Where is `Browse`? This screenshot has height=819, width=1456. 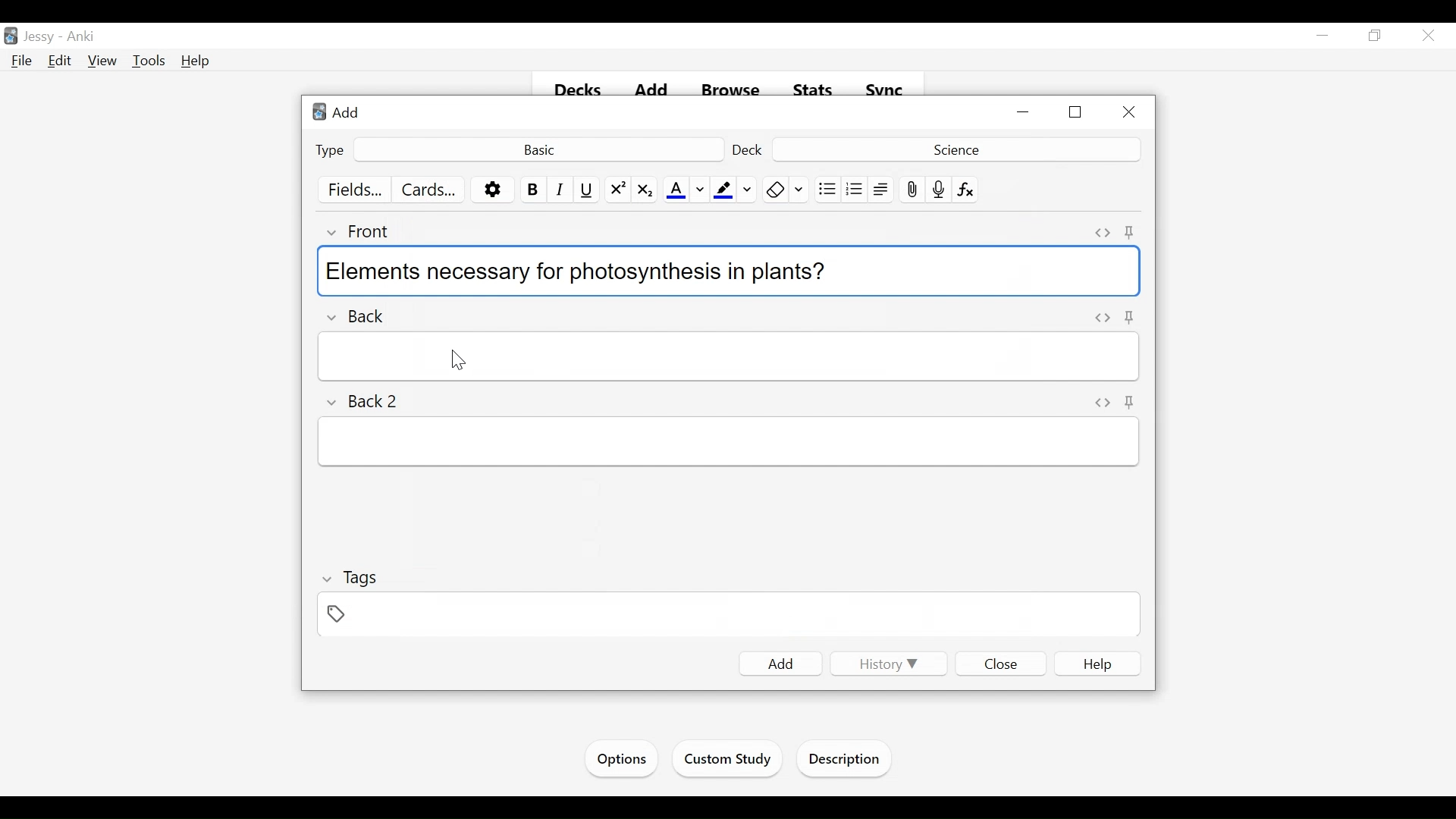
Browse is located at coordinates (733, 91).